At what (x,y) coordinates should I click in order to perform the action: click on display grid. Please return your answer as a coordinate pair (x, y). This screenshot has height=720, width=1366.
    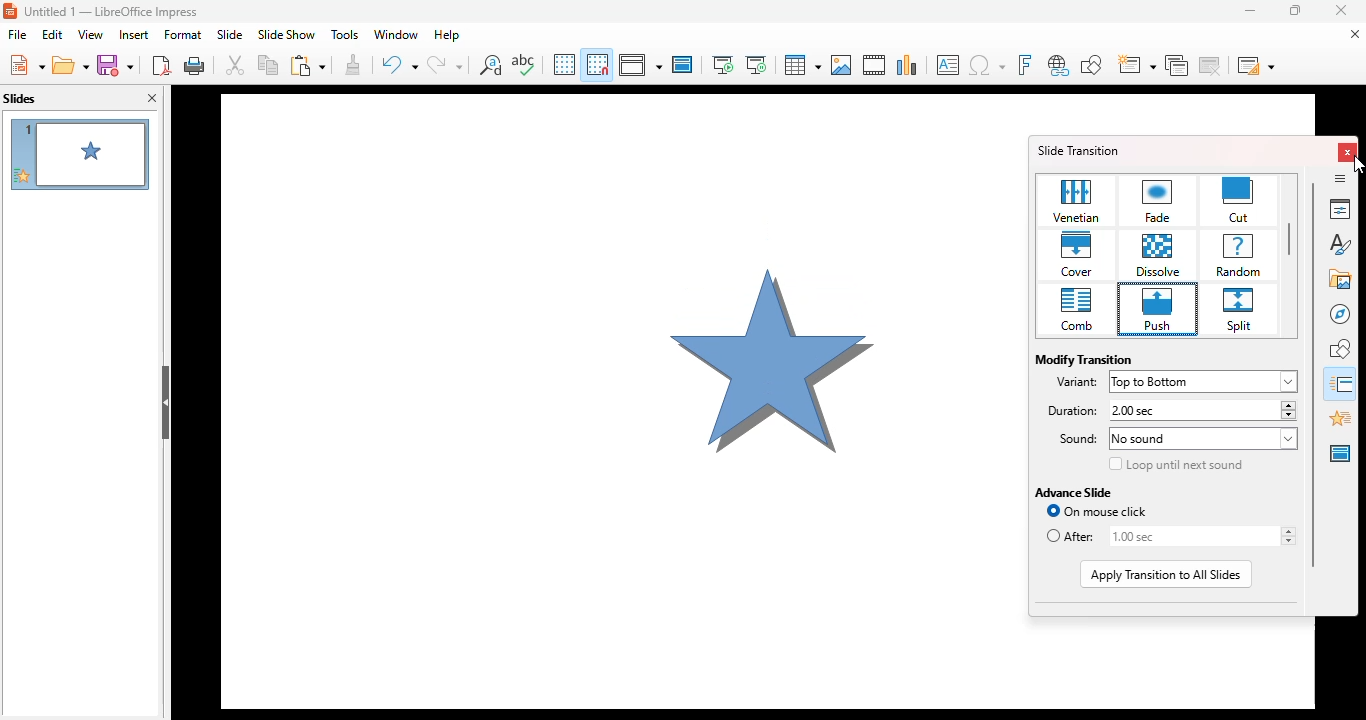
    Looking at the image, I should click on (564, 64).